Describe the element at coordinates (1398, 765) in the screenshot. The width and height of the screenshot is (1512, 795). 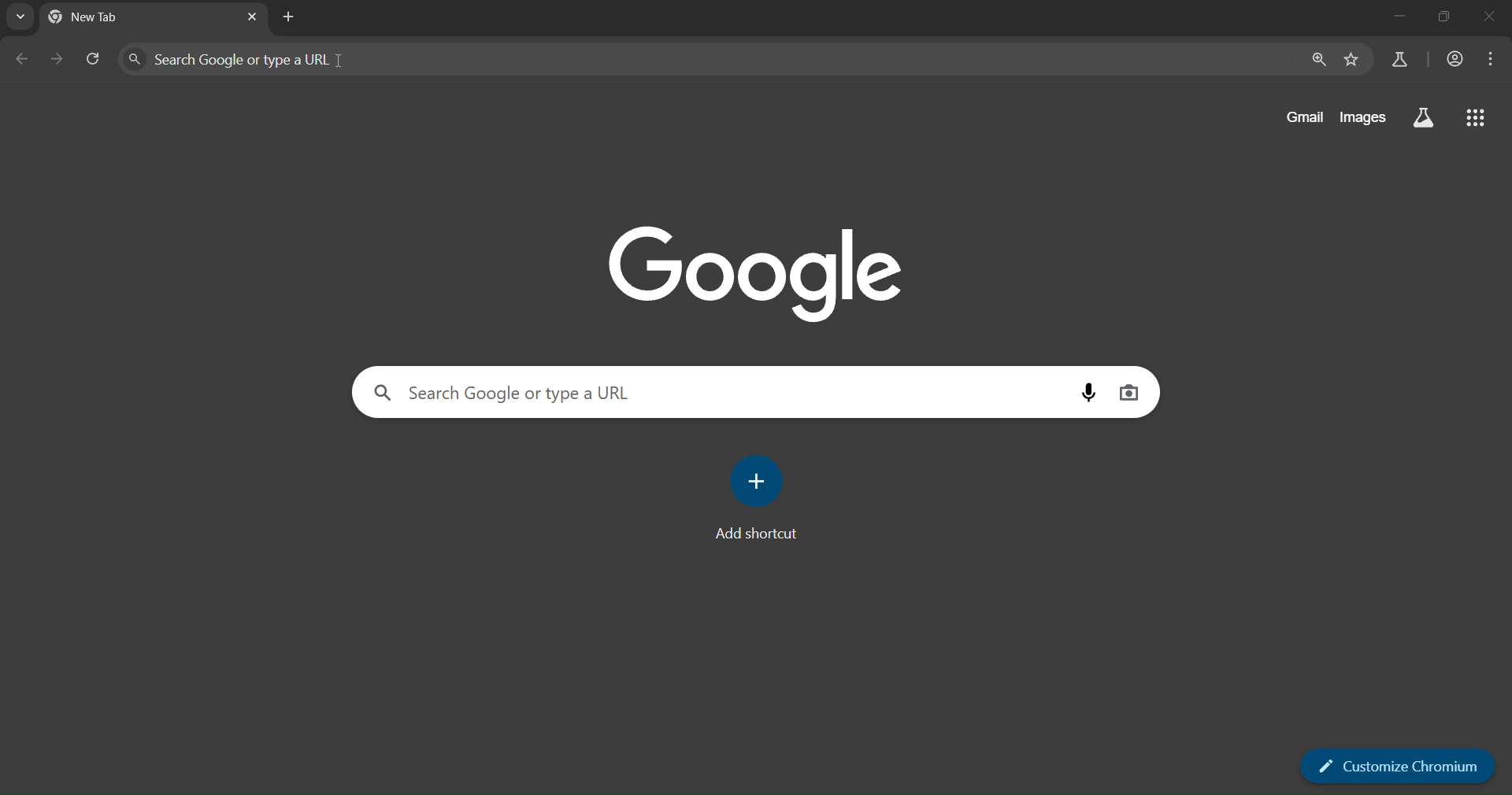
I see `customize chromium` at that location.